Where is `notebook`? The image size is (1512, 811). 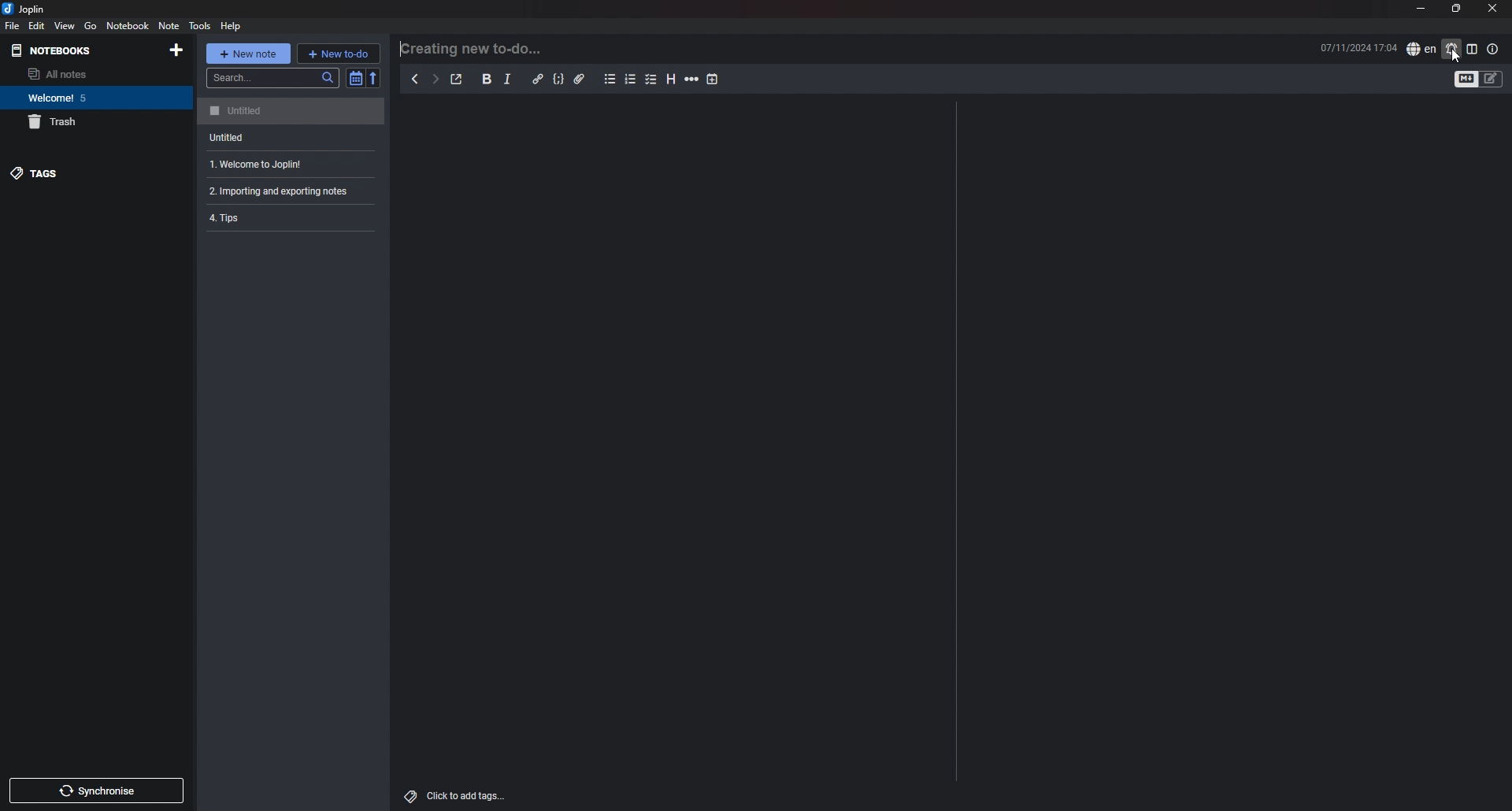 notebook is located at coordinates (128, 25).